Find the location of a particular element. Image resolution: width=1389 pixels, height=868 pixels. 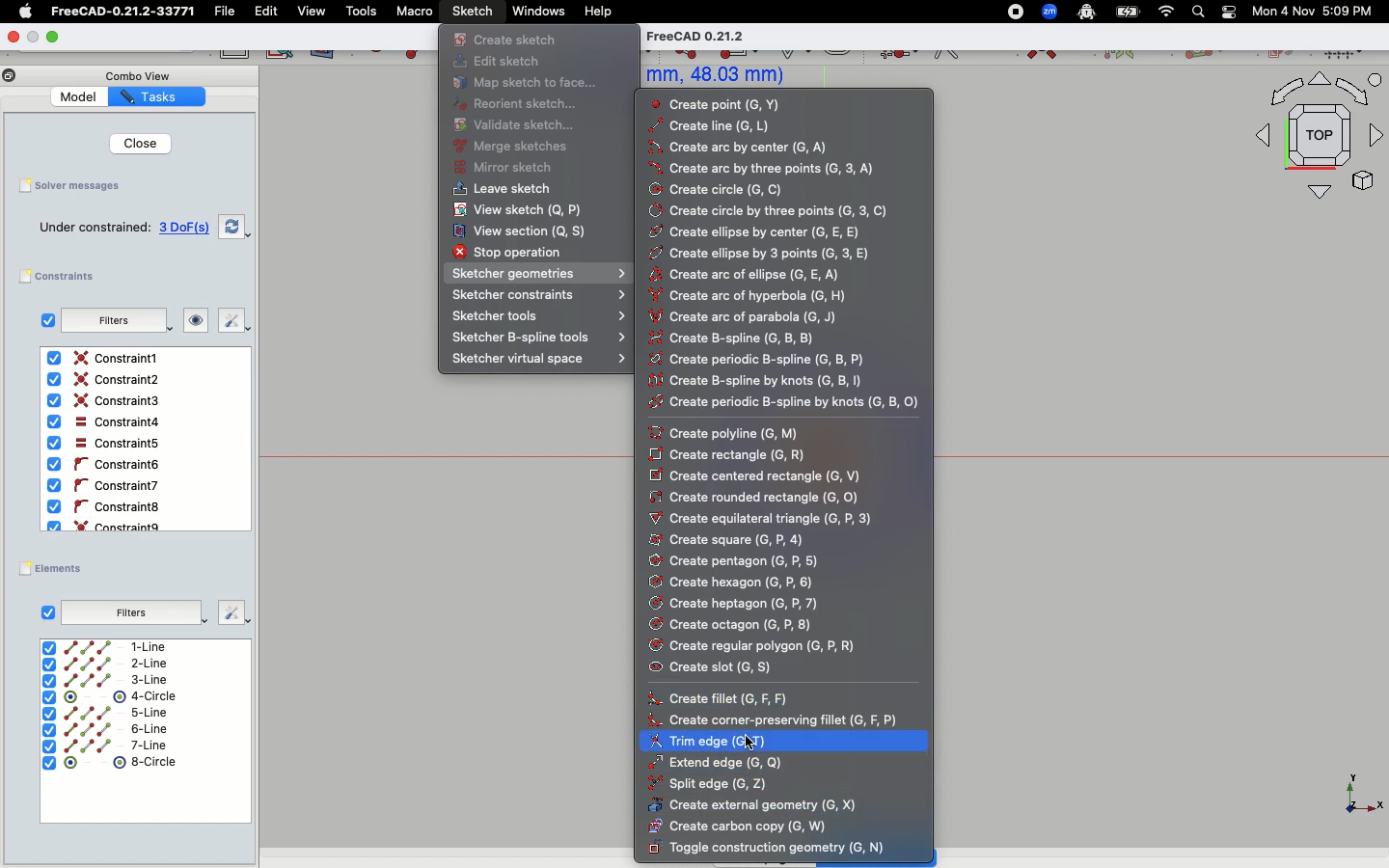

View sketch(Q, P) is located at coordinates (538, 209).